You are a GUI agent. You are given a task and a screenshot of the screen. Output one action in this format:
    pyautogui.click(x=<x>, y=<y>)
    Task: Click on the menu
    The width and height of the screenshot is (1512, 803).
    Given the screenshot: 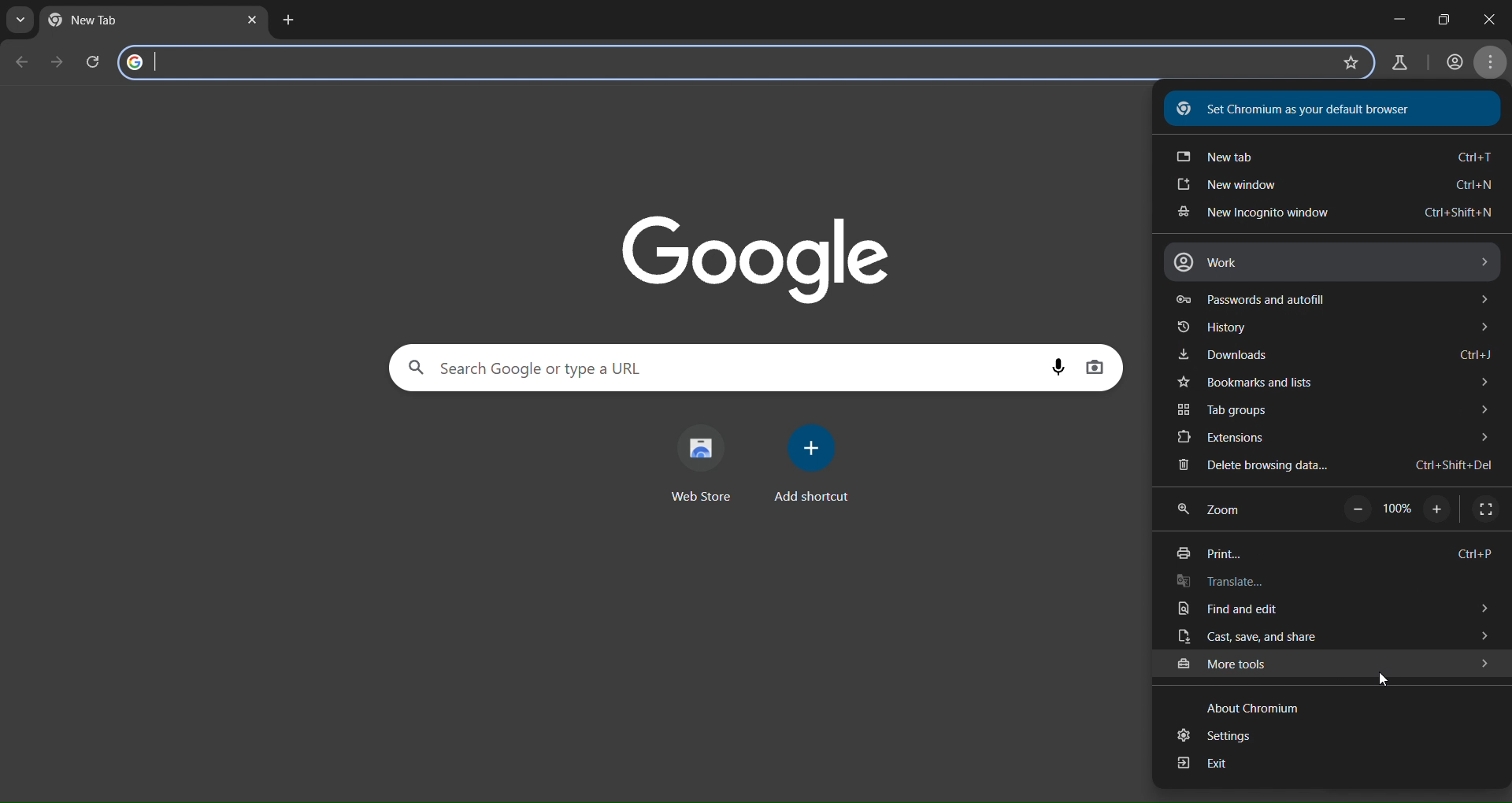 What is the action you would take?
    pyautogui.click(x=1491, y=65)
    